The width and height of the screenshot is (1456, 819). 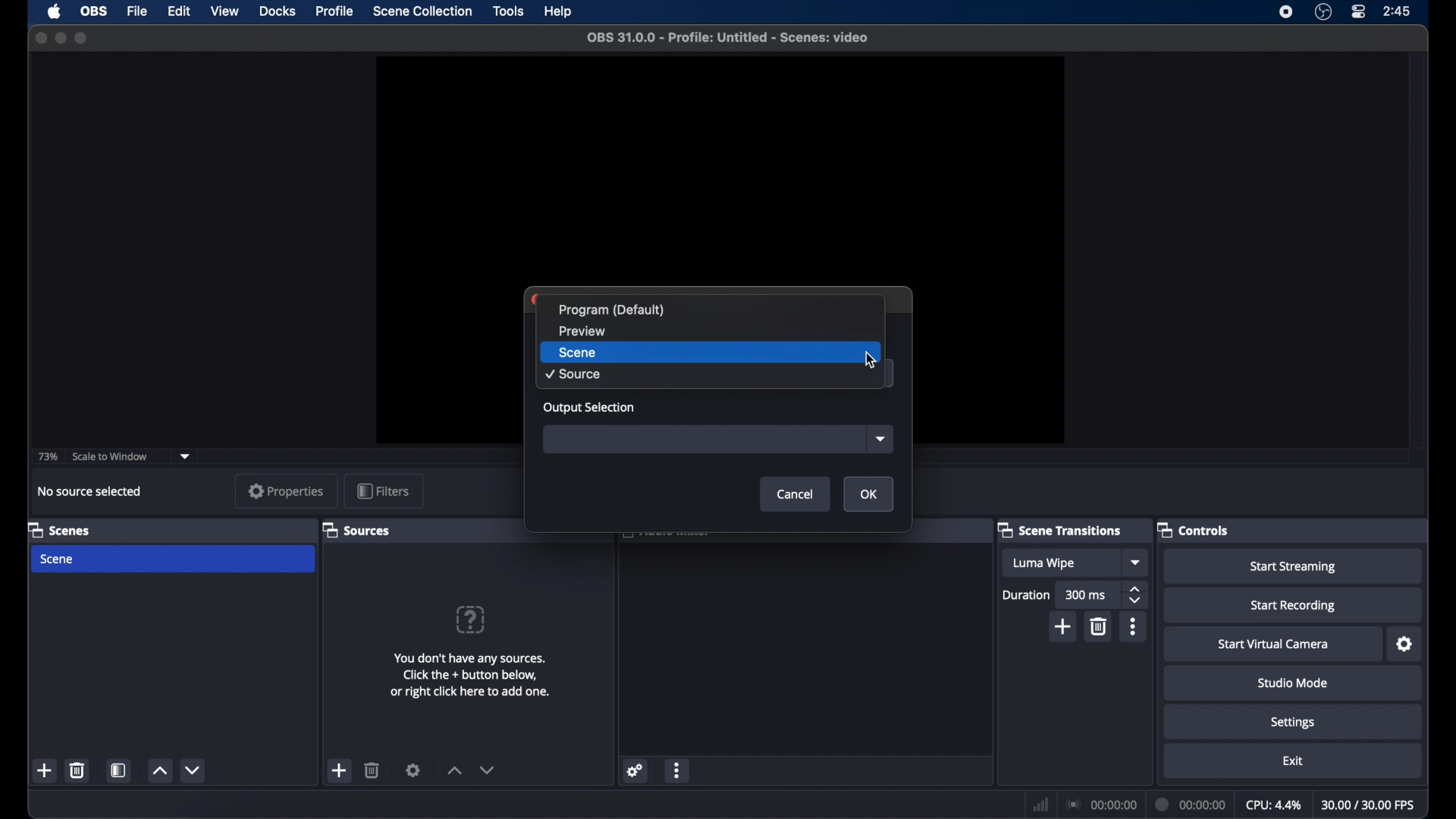 What do you see at coordinates (1397, 11) in the screenshot?
I see `time` at bounding box center [1397, 11].